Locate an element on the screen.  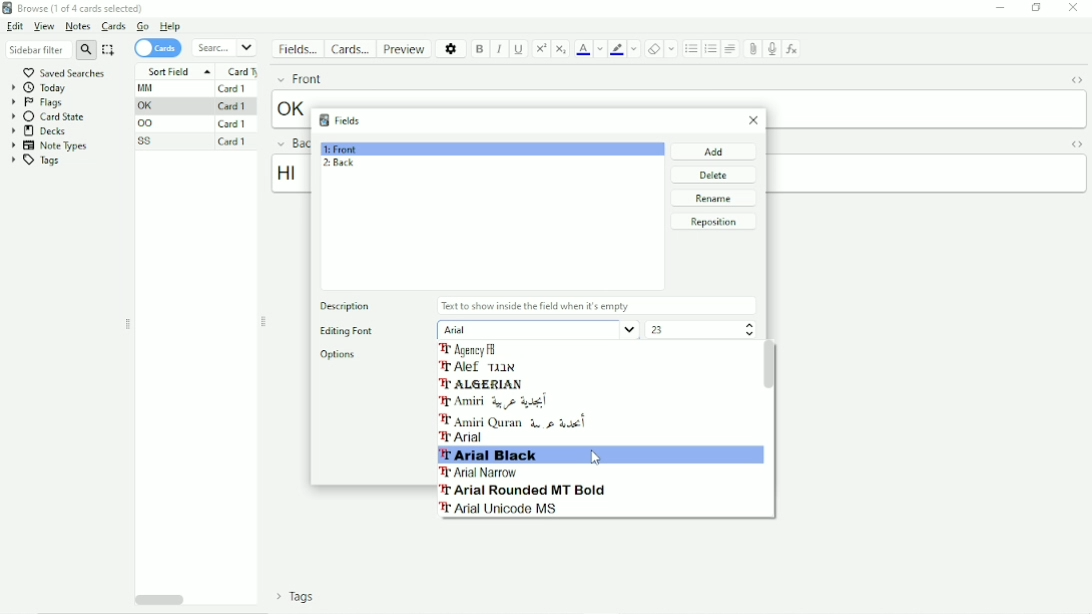
Vertical scrollbar is located at coordinates (771, 366).